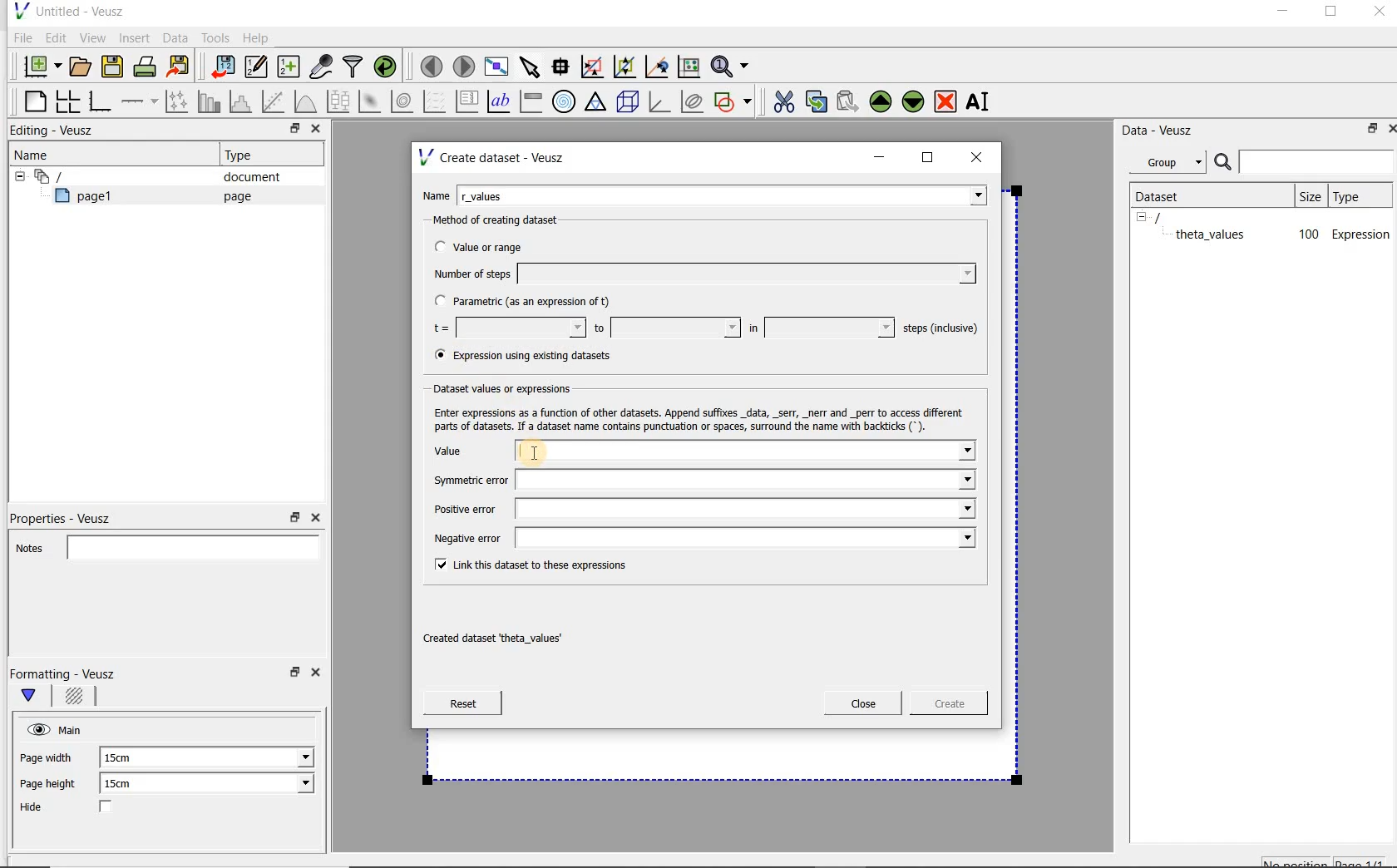 This screenshot has width=1397, height=868. I want to click on Reset, so click(462, 703).